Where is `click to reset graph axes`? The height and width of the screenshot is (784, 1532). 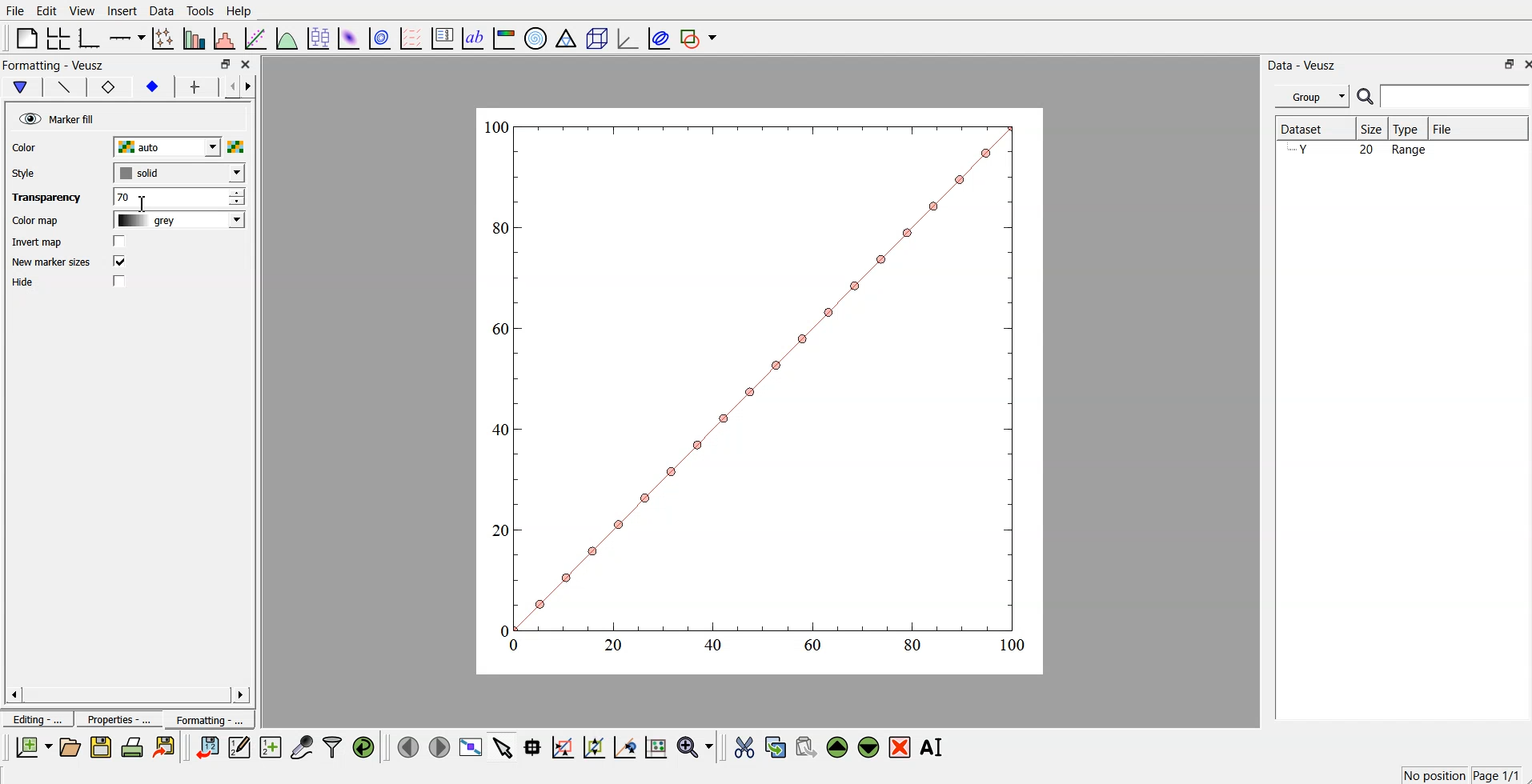
click to reset graph axes is located at coordinates (657, 746).